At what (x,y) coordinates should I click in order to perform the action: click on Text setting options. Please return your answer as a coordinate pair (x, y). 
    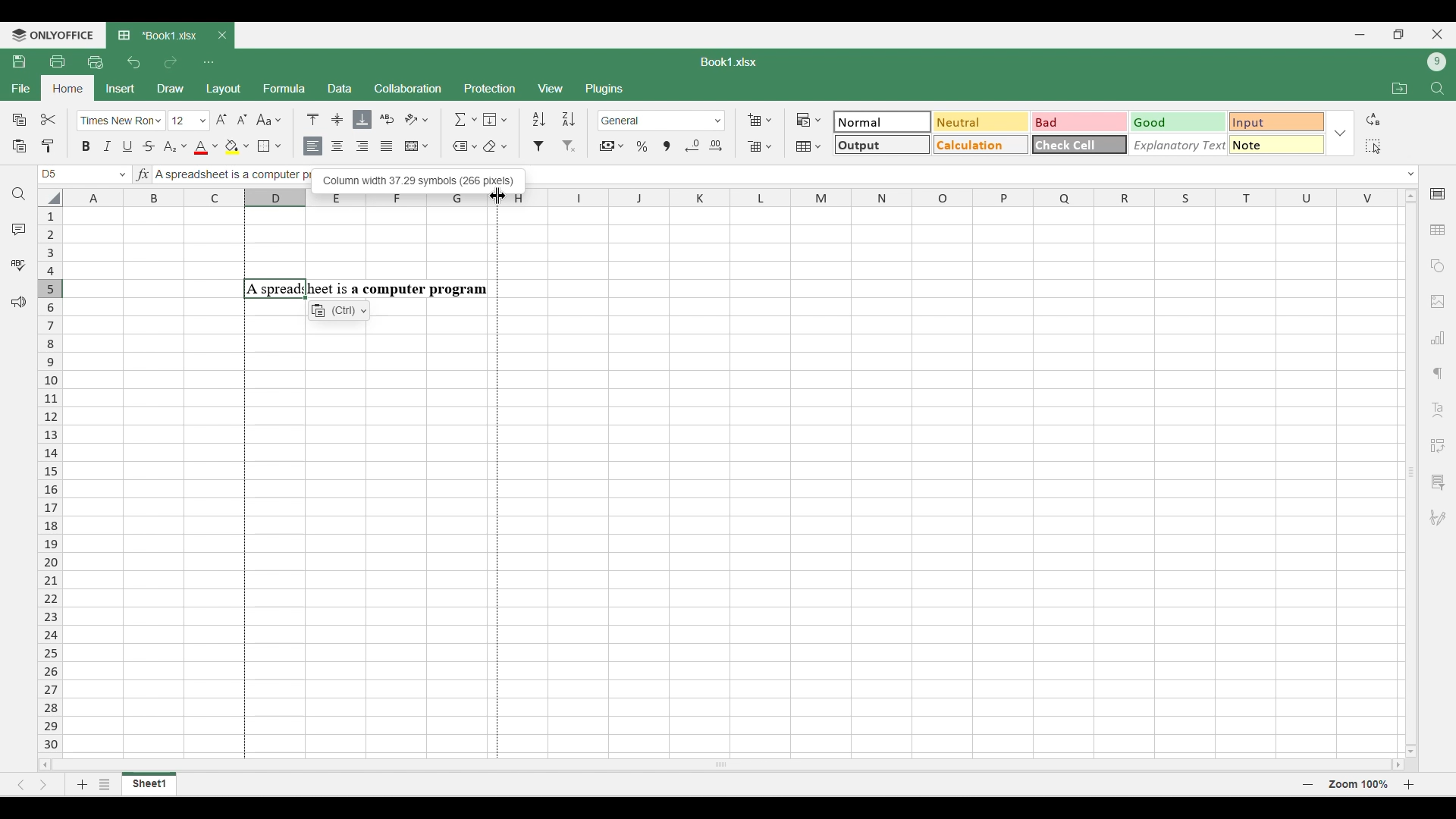
    Looking at the image, I should click on (339, 310).